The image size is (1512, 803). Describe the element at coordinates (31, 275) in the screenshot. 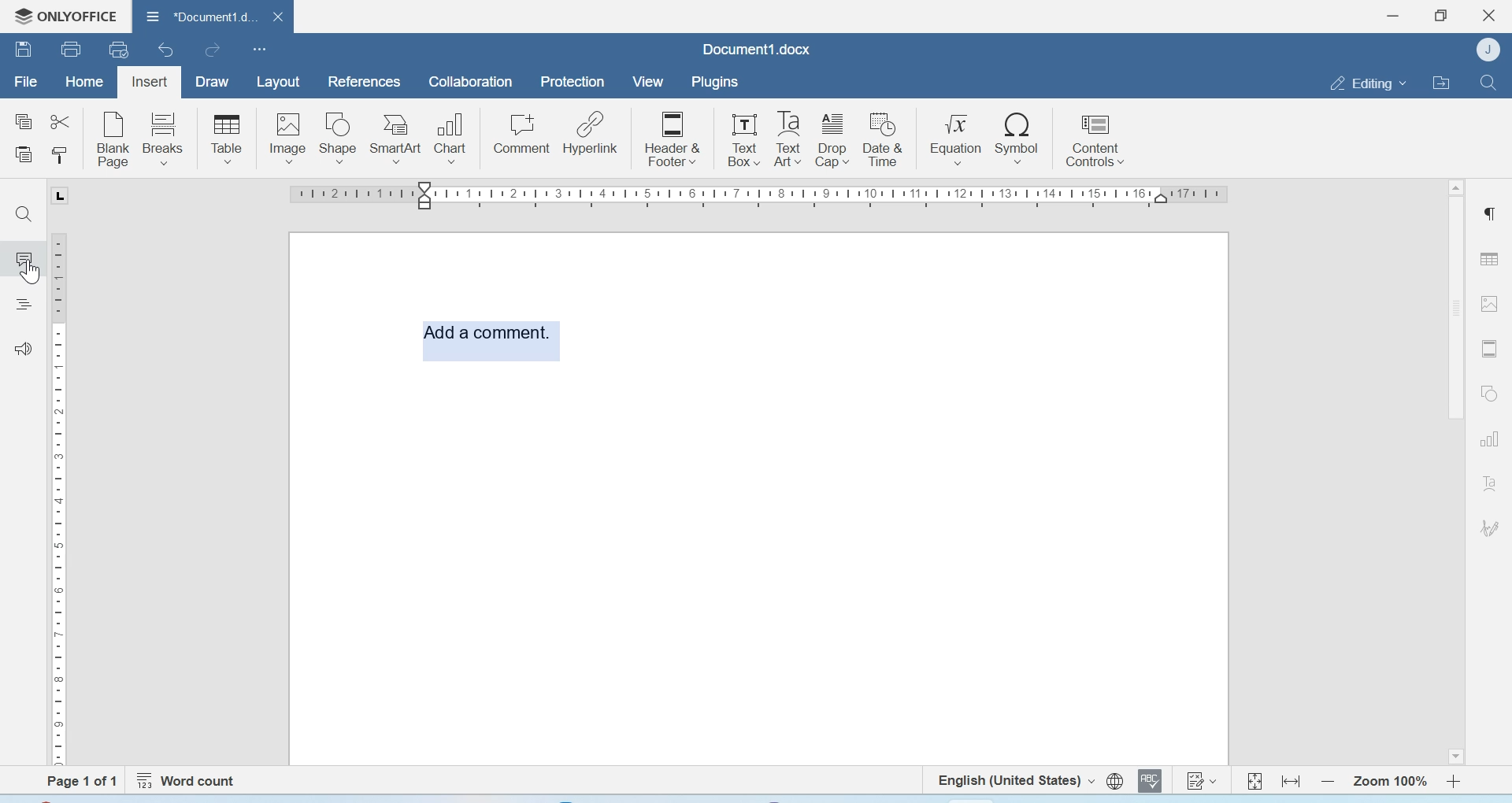

I see `Cursor` at that location.